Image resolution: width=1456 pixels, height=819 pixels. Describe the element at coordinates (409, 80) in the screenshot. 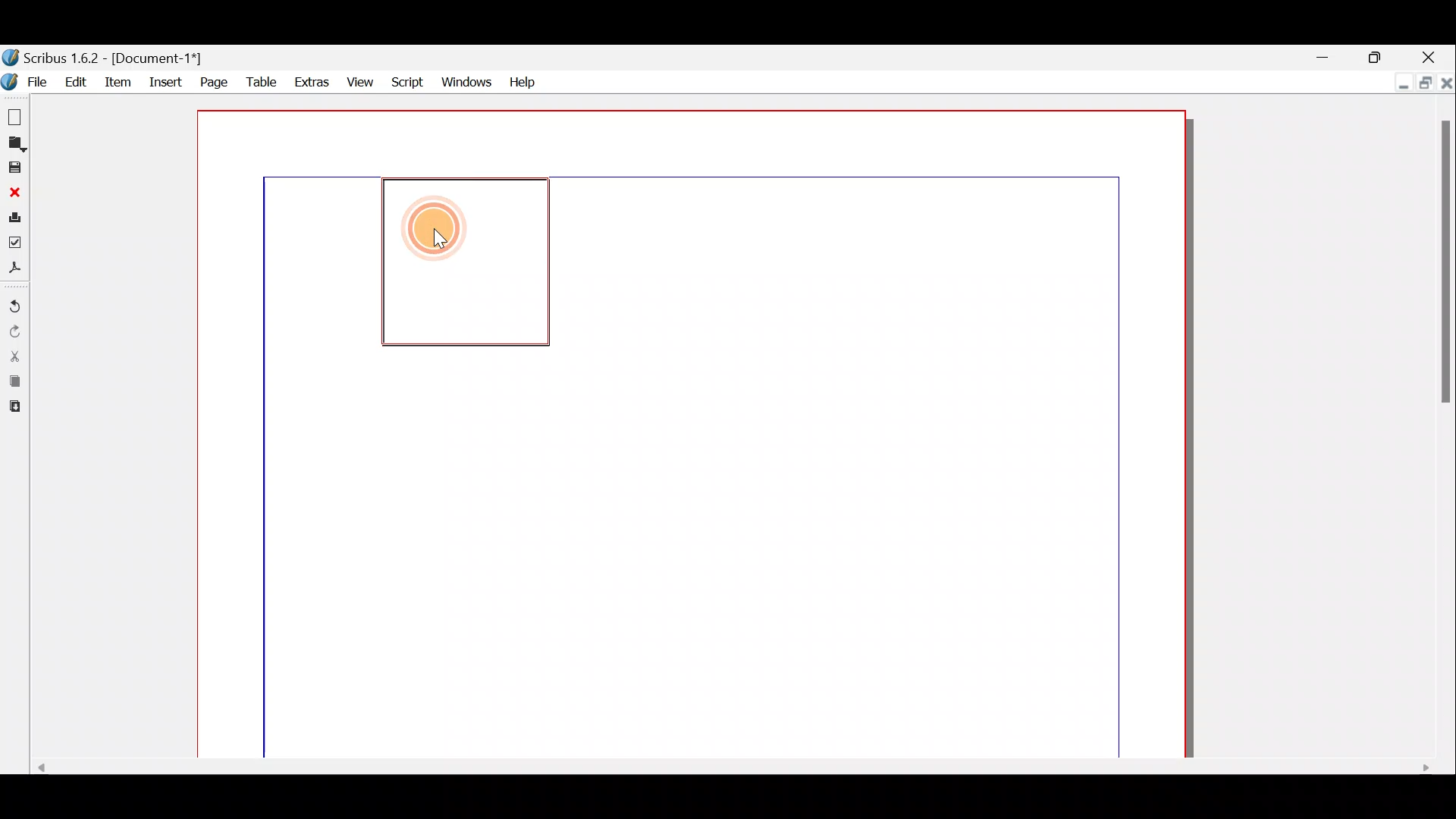

I see `Script` at that location.